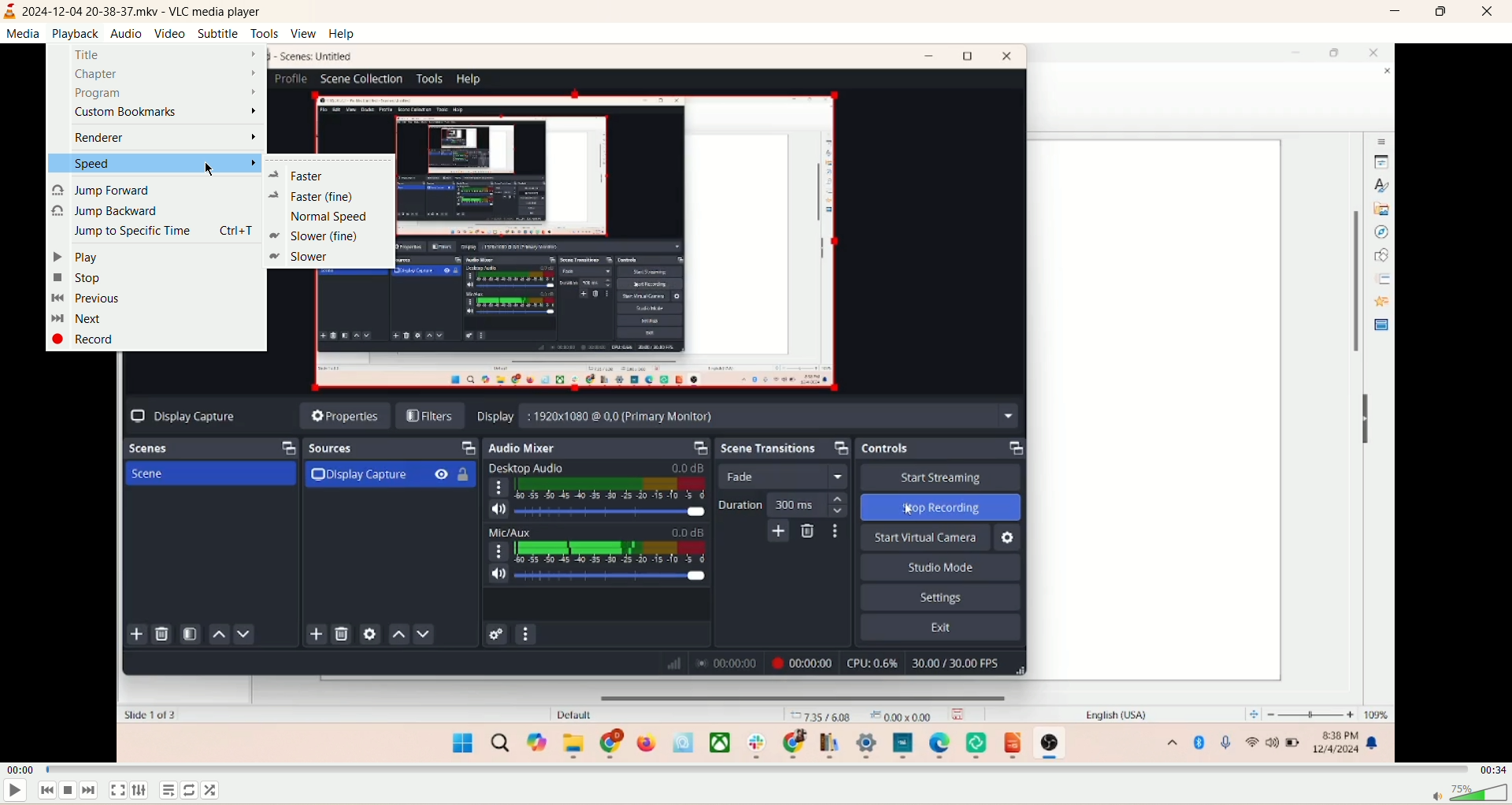 The image size is (1512, 805). I want to click on cursor, so click(213, 172).